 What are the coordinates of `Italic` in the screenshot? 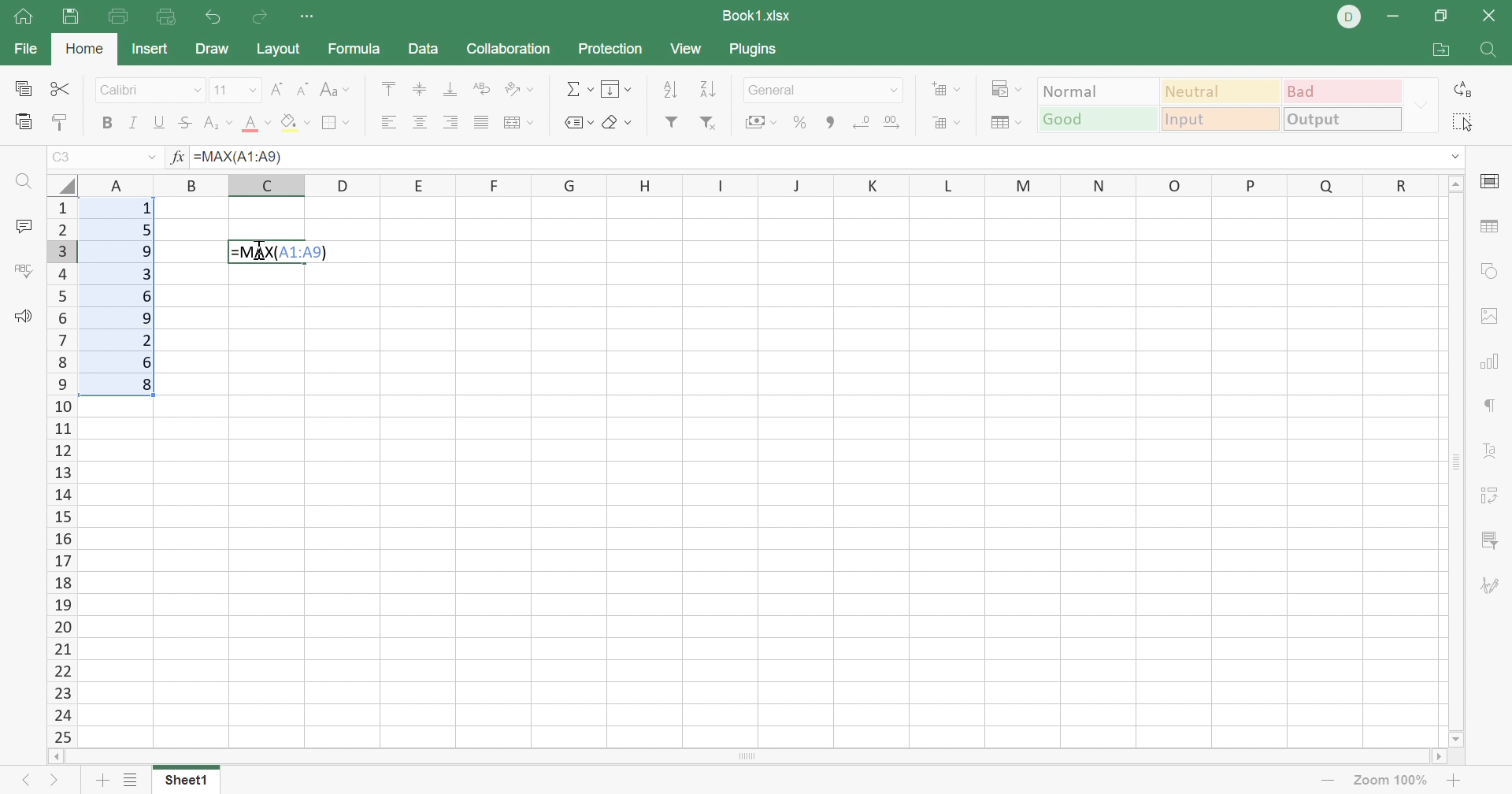 It's located at (139, 121).